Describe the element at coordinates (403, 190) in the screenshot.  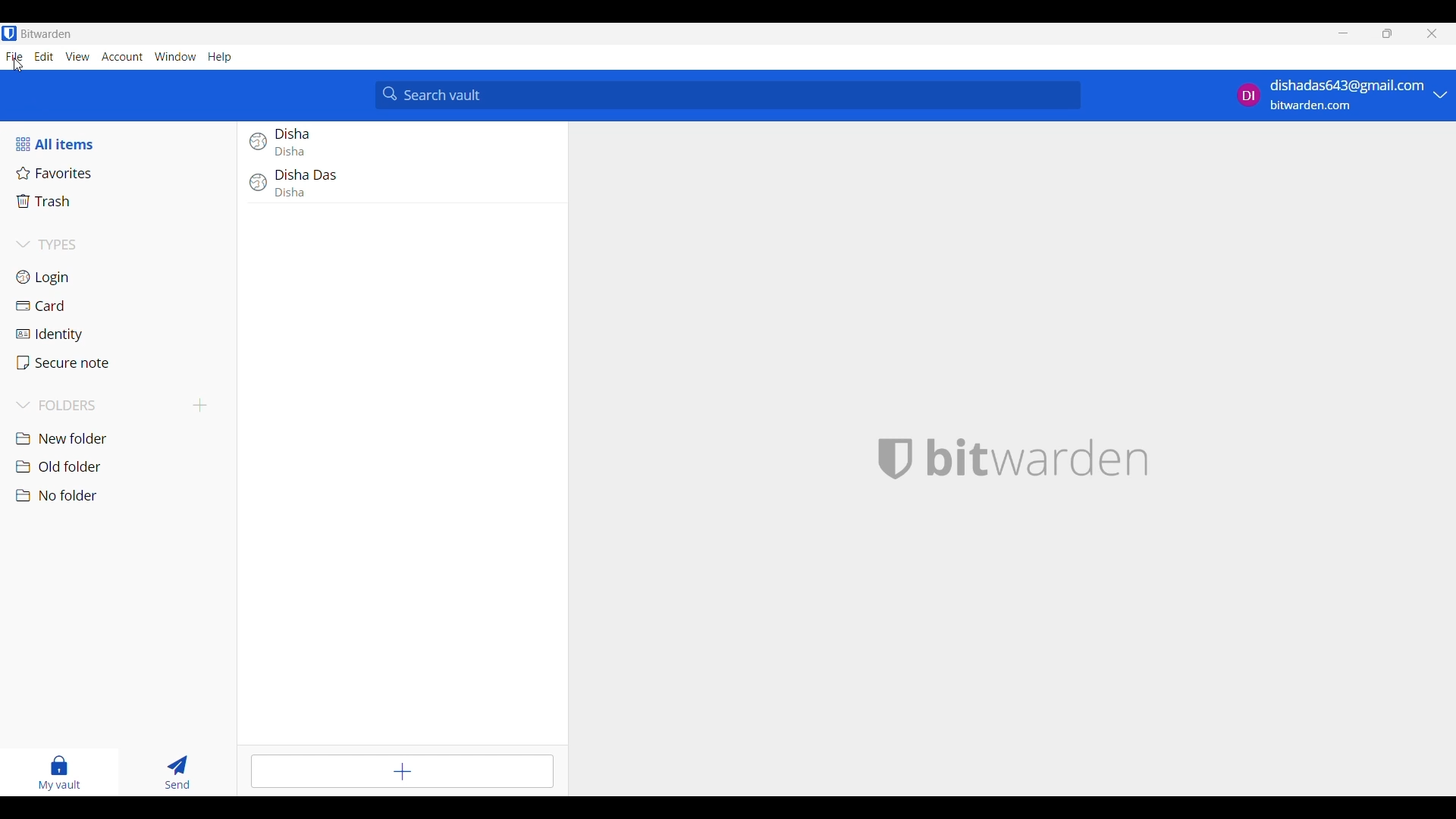
I see `Disha Das login entry` at that location.